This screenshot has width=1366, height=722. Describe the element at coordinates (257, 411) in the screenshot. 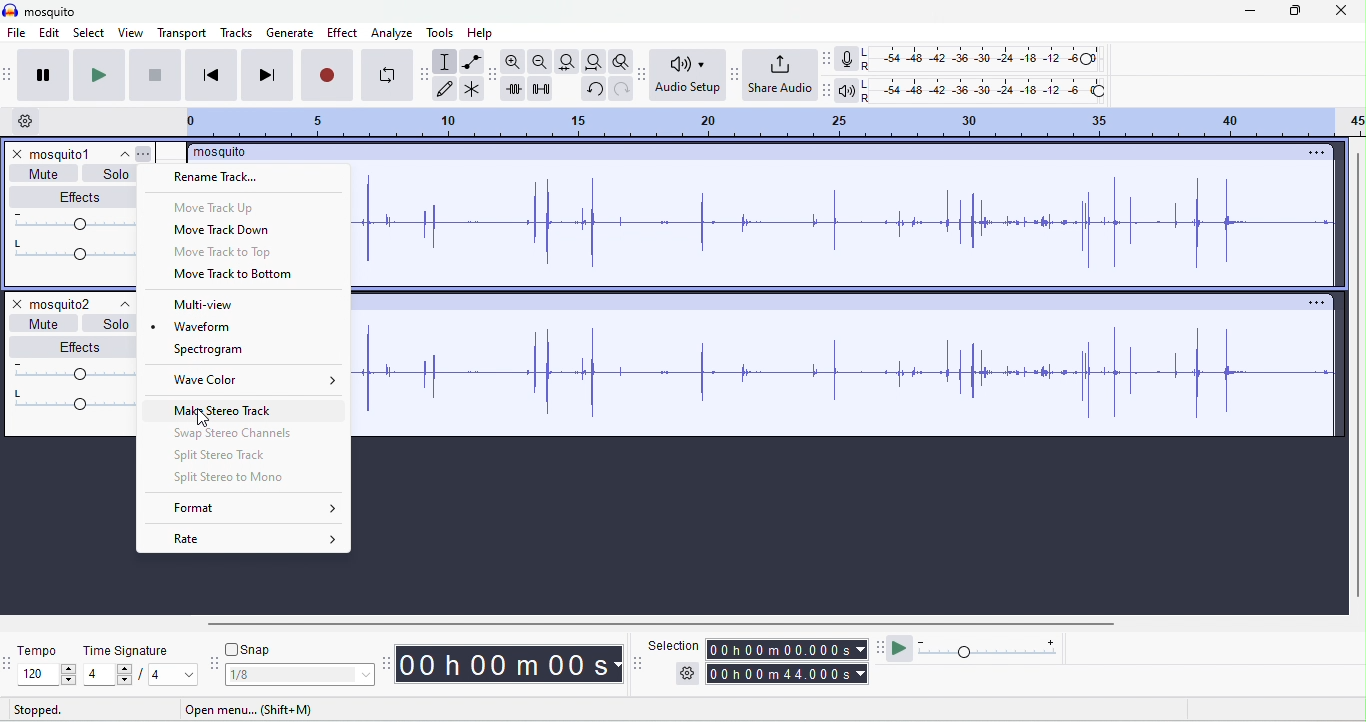

I see `make stereo track` at that location.